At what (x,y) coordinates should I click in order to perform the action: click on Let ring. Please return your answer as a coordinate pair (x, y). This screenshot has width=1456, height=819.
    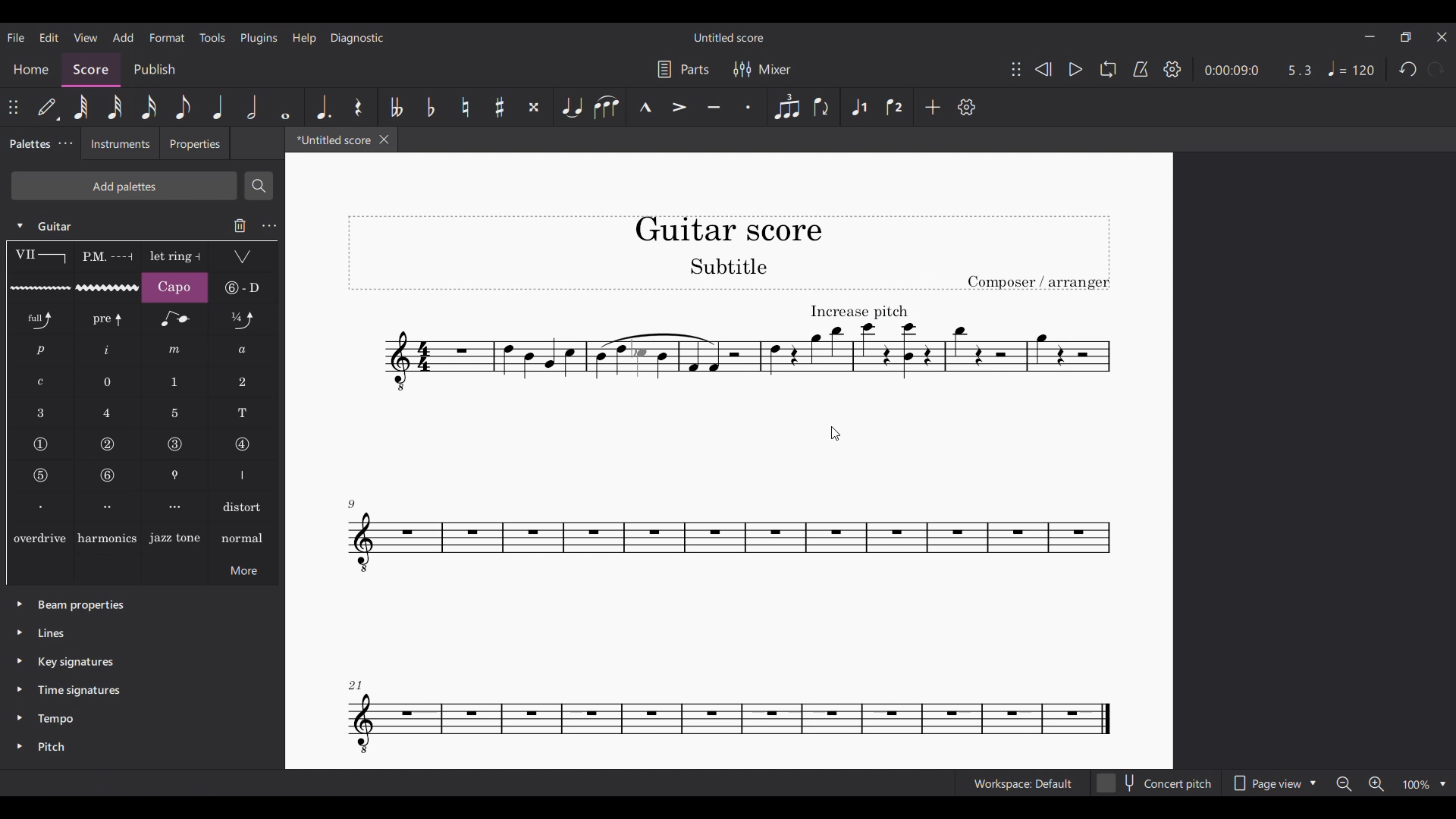
    Looking at the image, I should click on (175, 257).